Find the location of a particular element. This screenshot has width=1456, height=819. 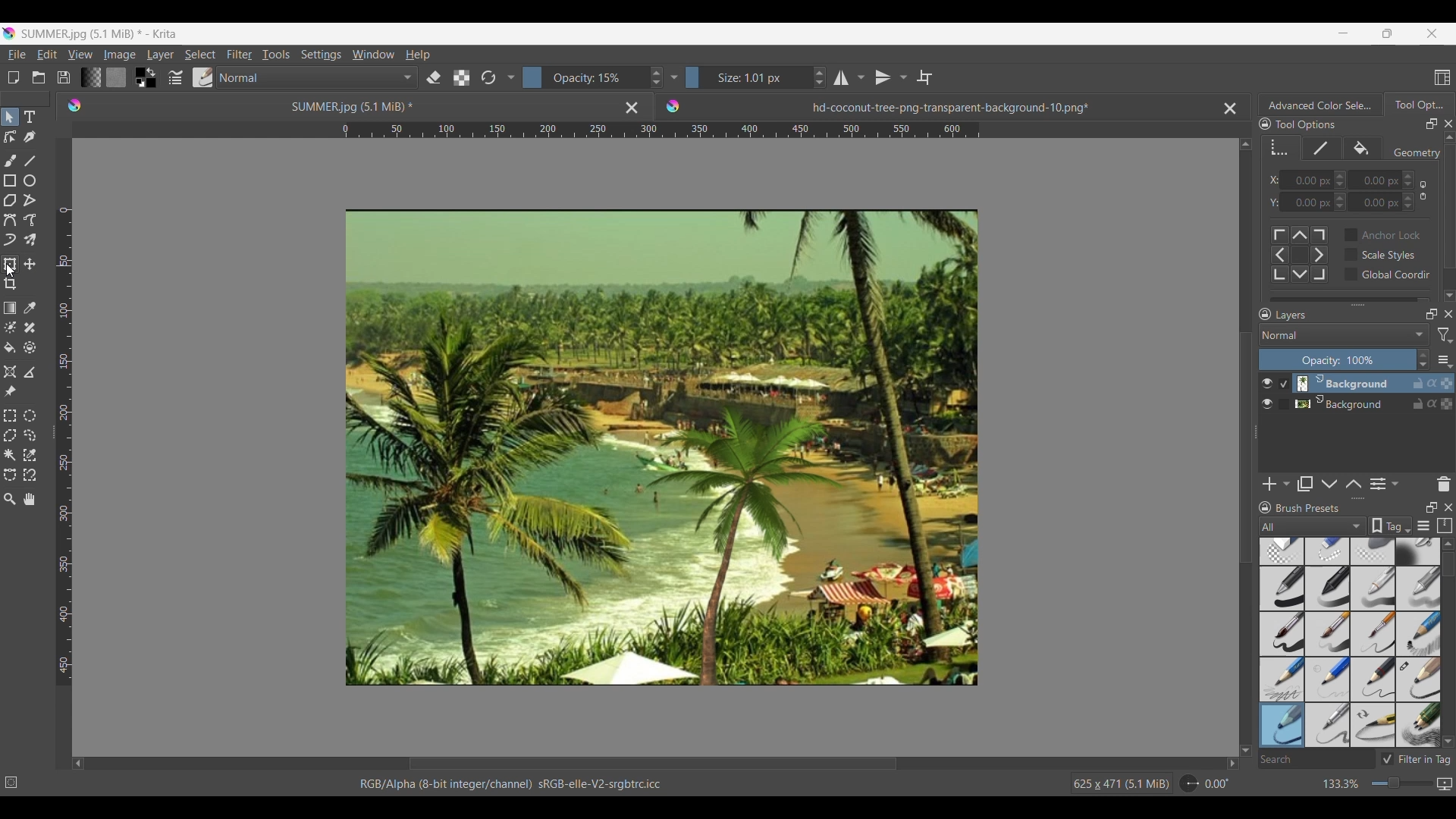

Information about the selected image is located at coordinates (1121, 783).